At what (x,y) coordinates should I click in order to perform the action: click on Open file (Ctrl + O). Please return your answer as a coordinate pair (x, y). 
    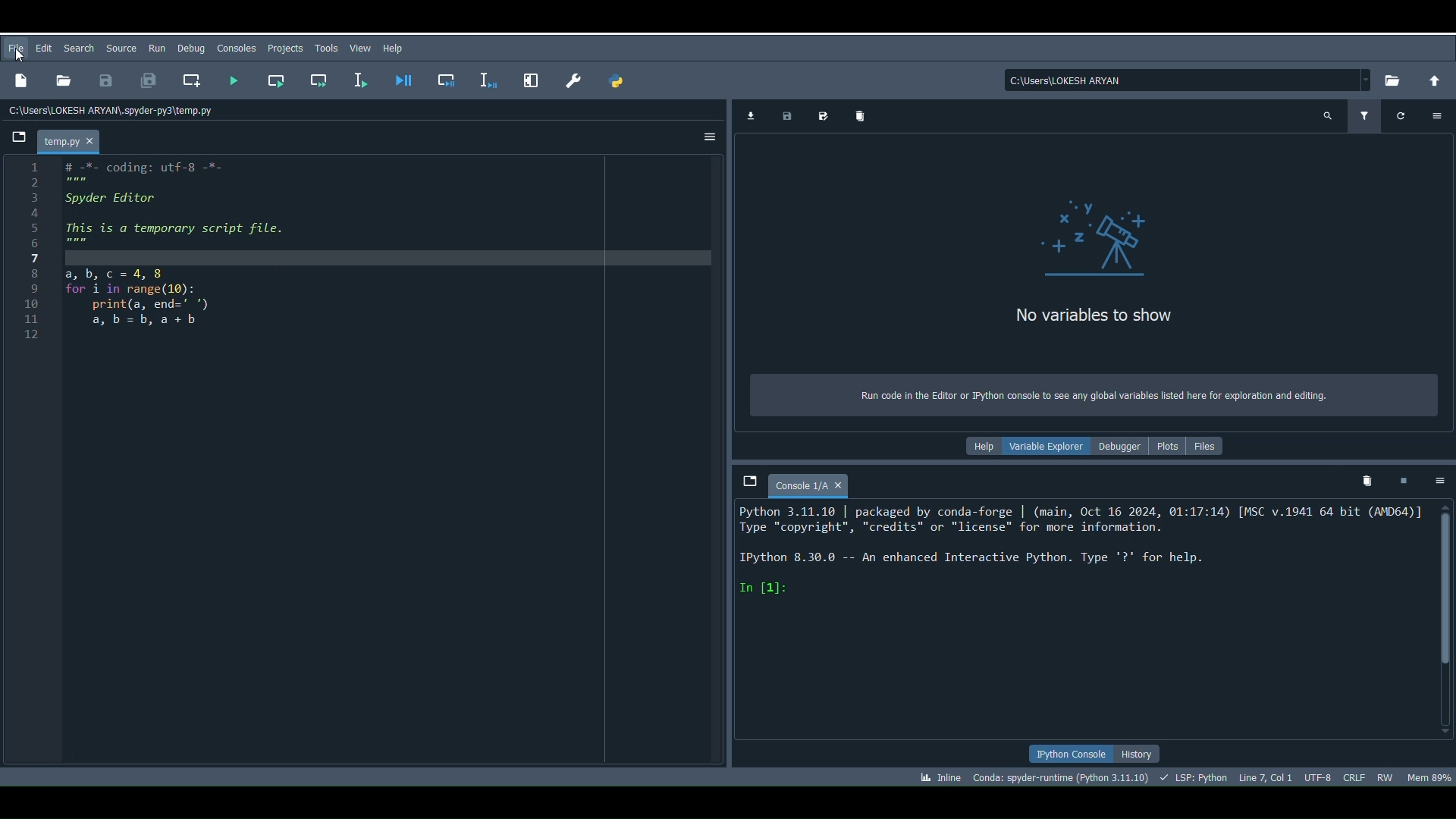
    Looking at the image, I should click on (62, 82).